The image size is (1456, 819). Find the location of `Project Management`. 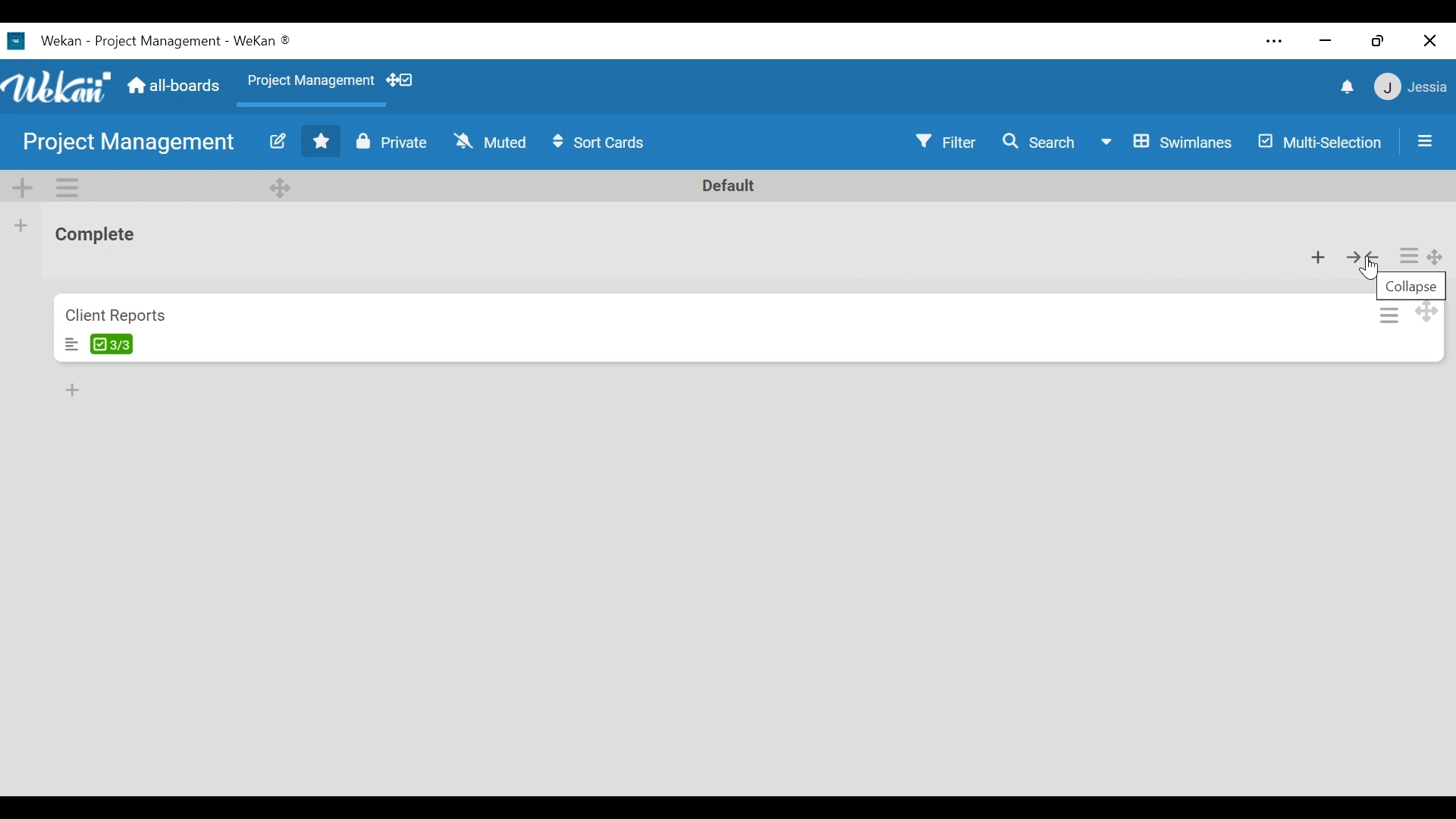

Project Management is located at coordinates (312, 82).